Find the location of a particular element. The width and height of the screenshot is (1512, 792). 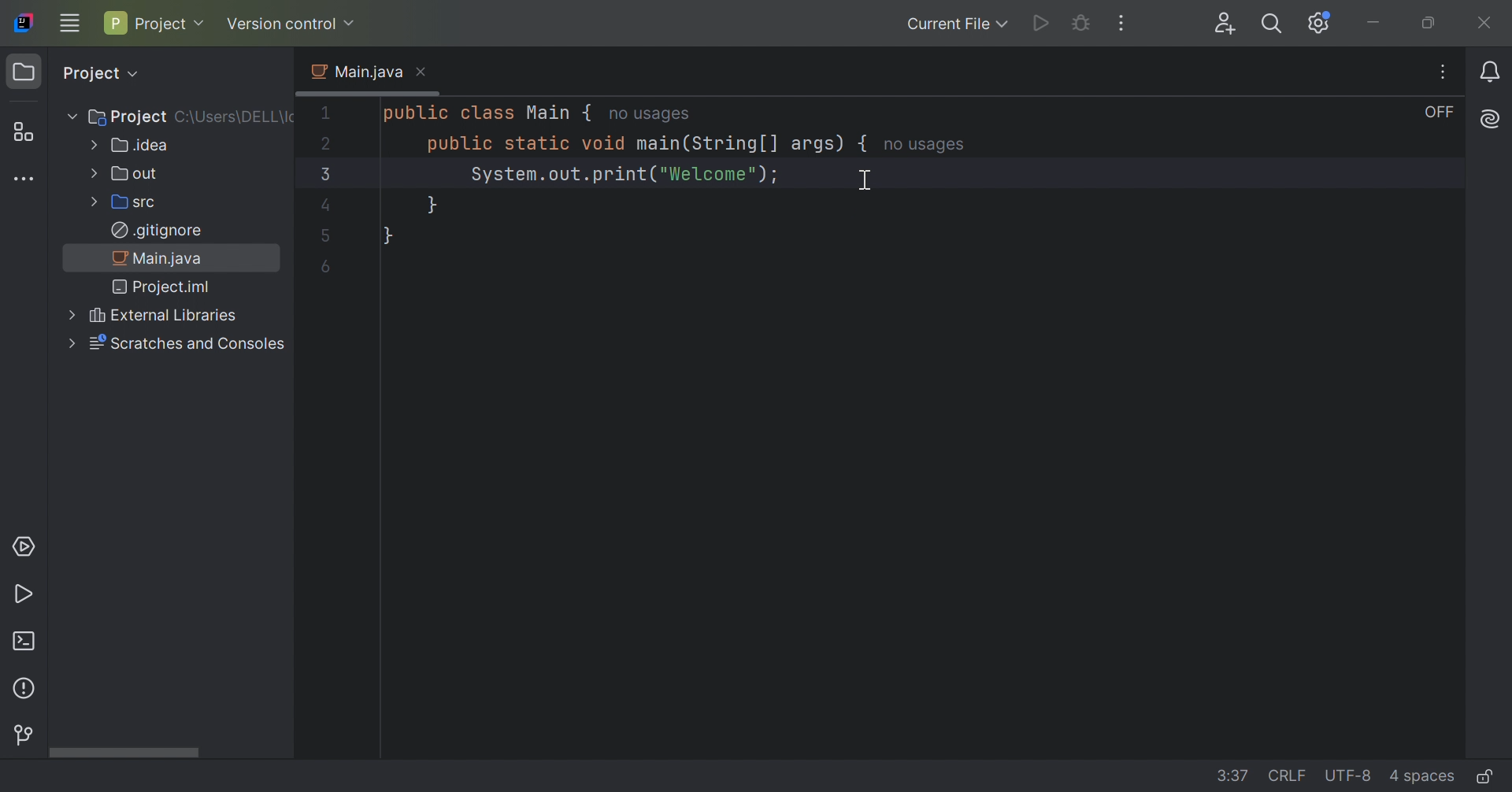

Src is located at coordinates (122, 204).